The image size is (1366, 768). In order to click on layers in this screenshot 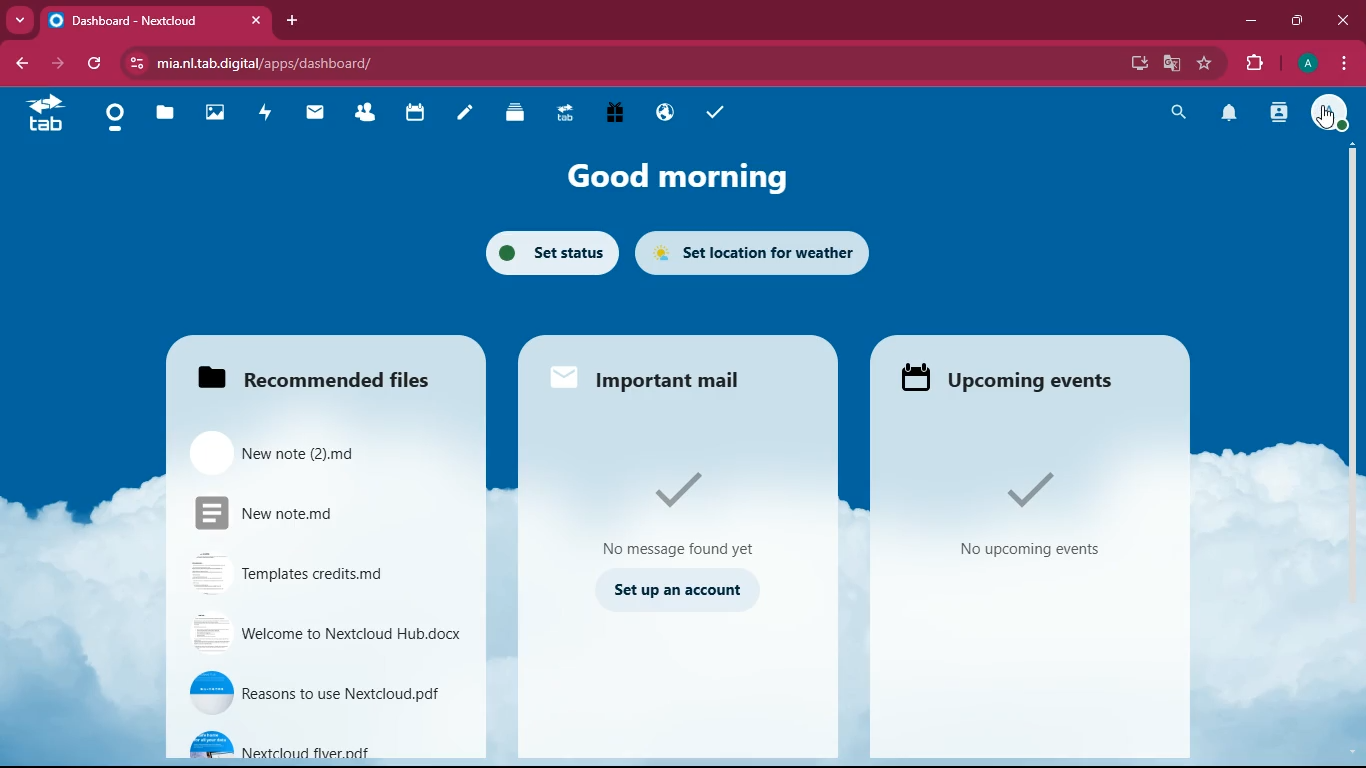, I will do `click(514, 113)`.